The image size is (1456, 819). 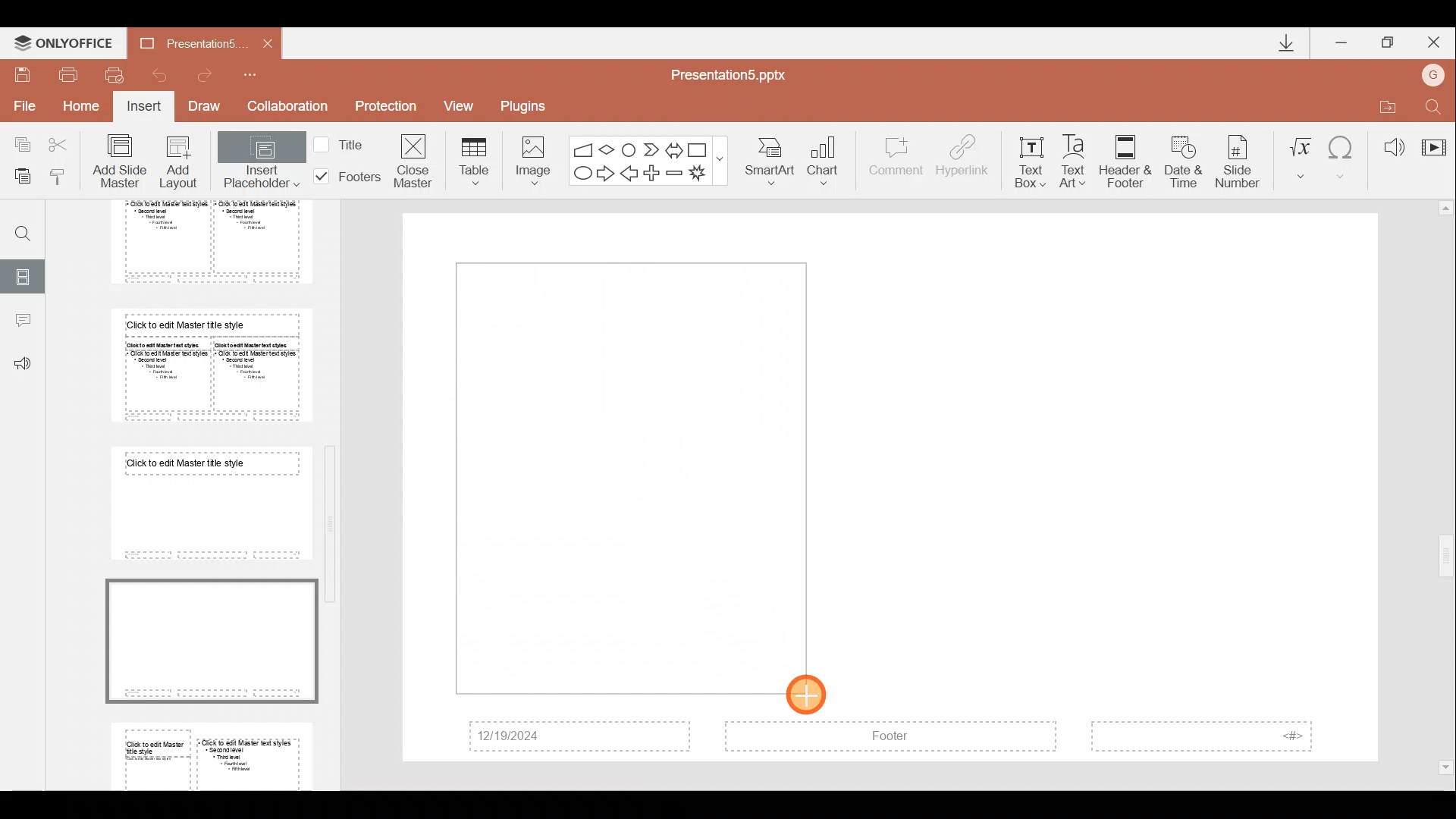 I want to click on Close masters, so click(x=415, y=160).